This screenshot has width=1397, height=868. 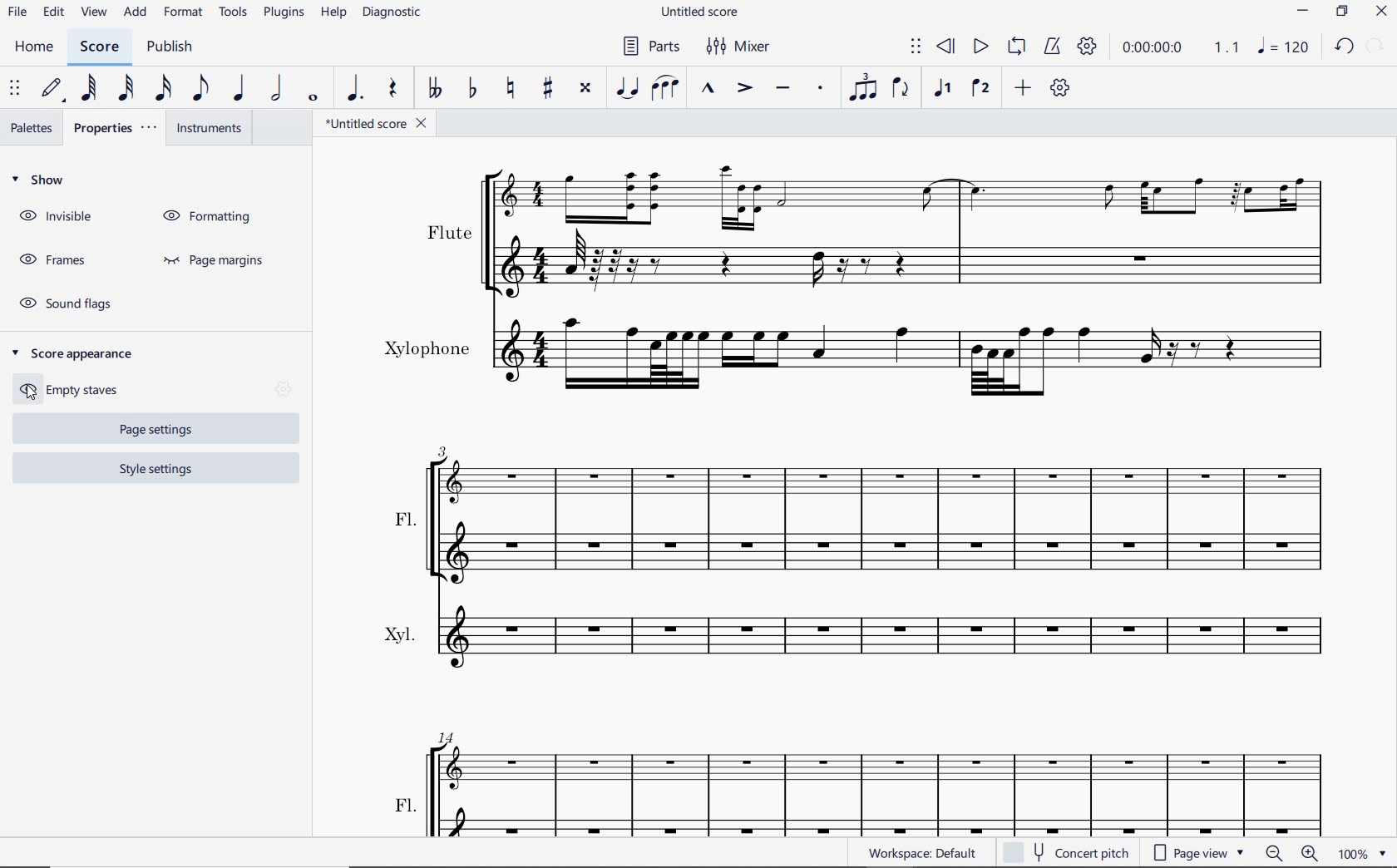 I want to click on QUARTER NOTE, so click(x=239, y=88).